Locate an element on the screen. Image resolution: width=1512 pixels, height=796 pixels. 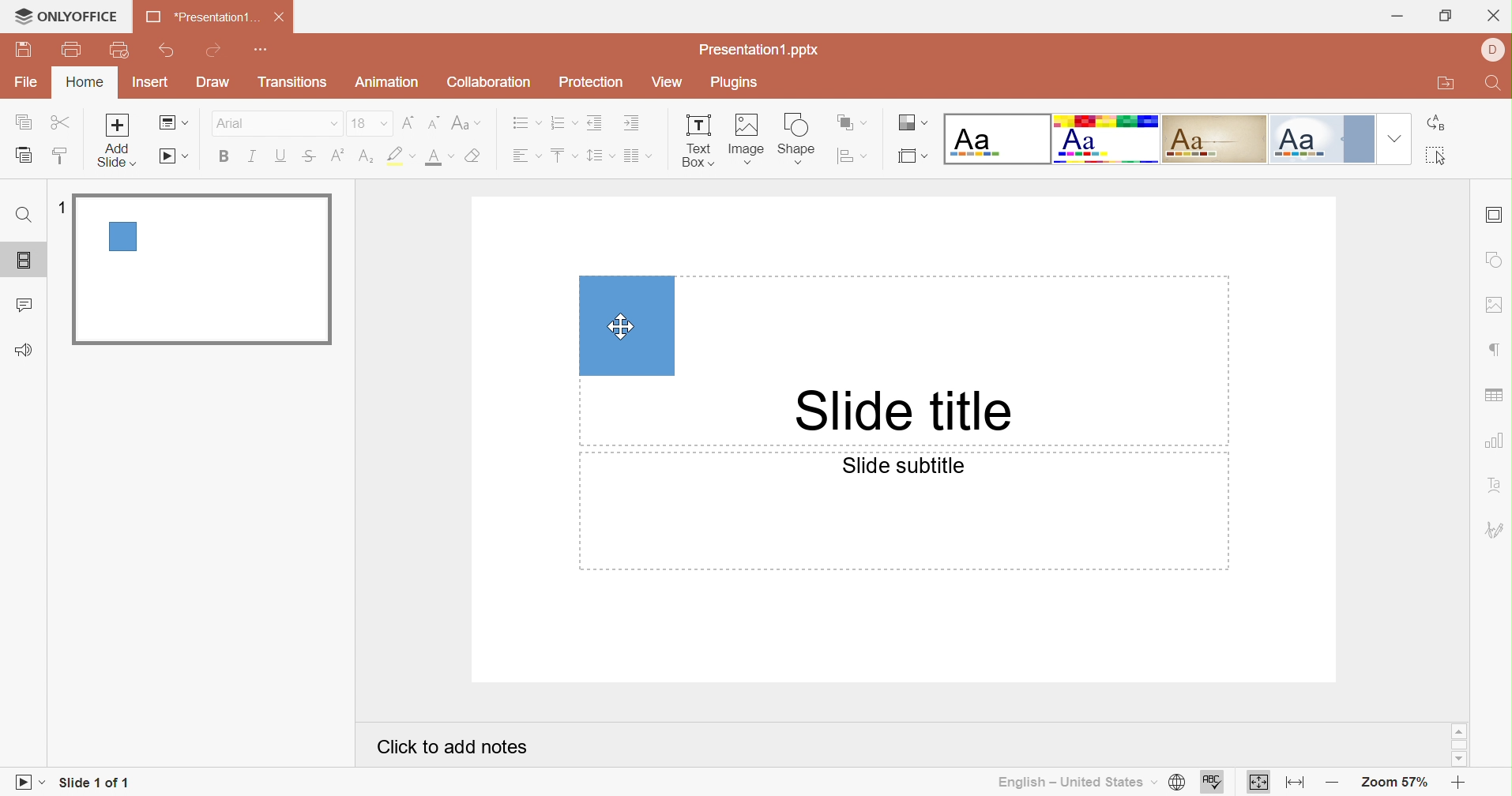
Subscript is located at coordinates (364, 161).